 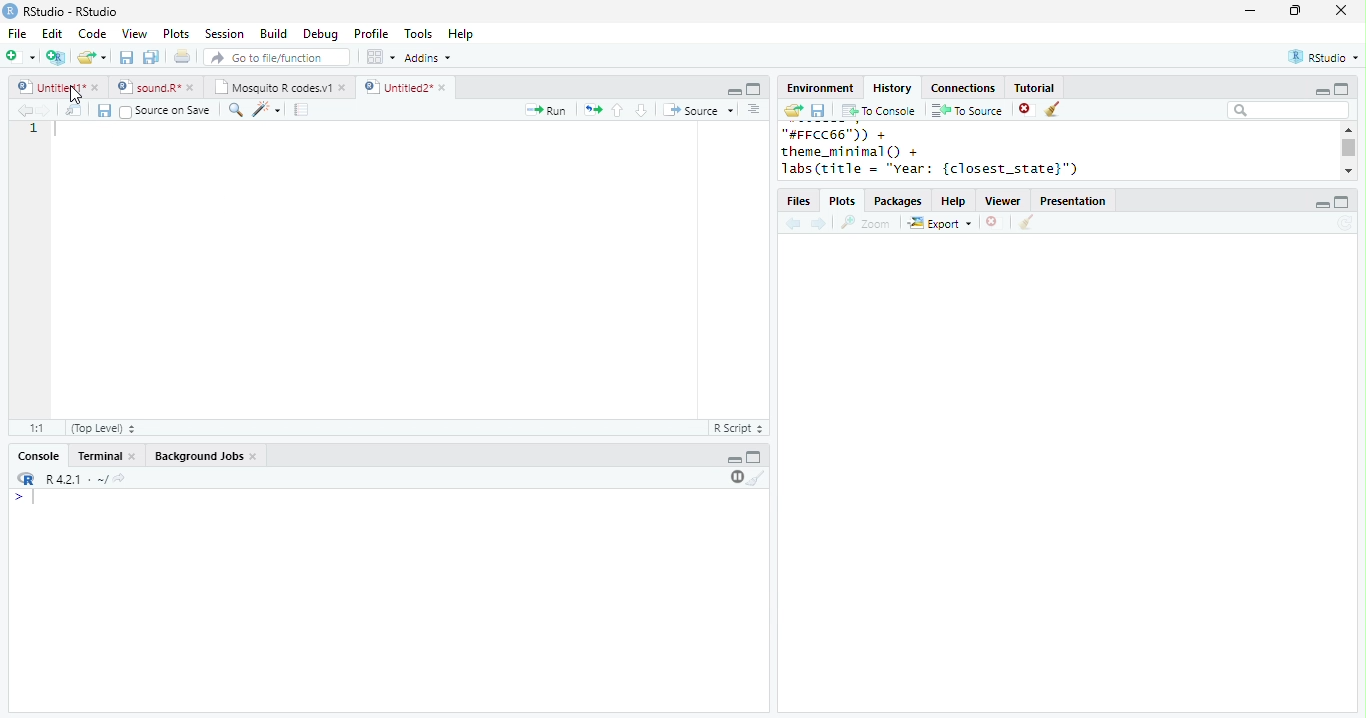 What do you see at coordinates (92, 33) in the screenshot?
I see `Code` at bounding box center [92, 33].